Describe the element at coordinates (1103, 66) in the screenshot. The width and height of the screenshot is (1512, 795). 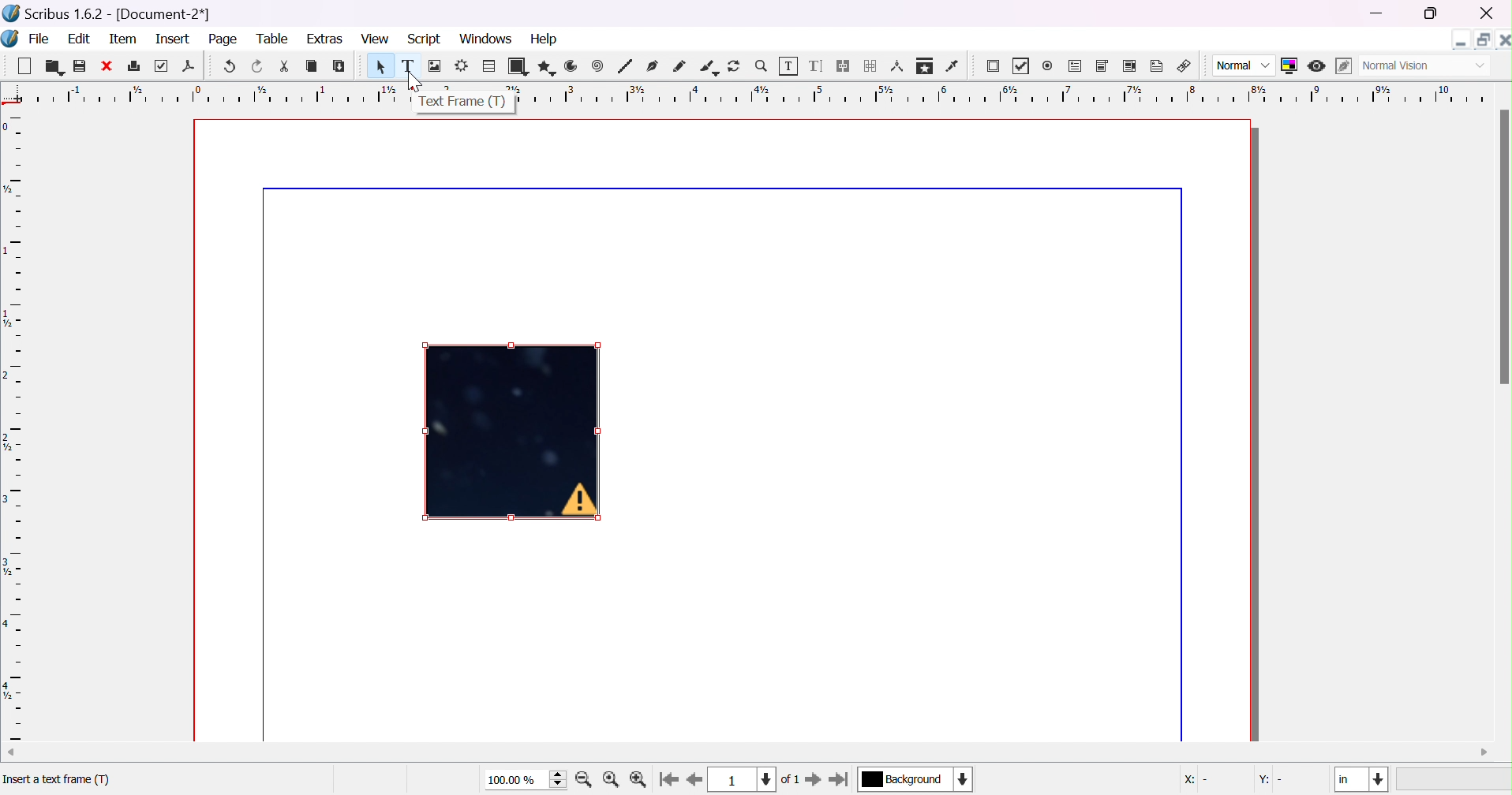
I see `PDF combo box` at that location.